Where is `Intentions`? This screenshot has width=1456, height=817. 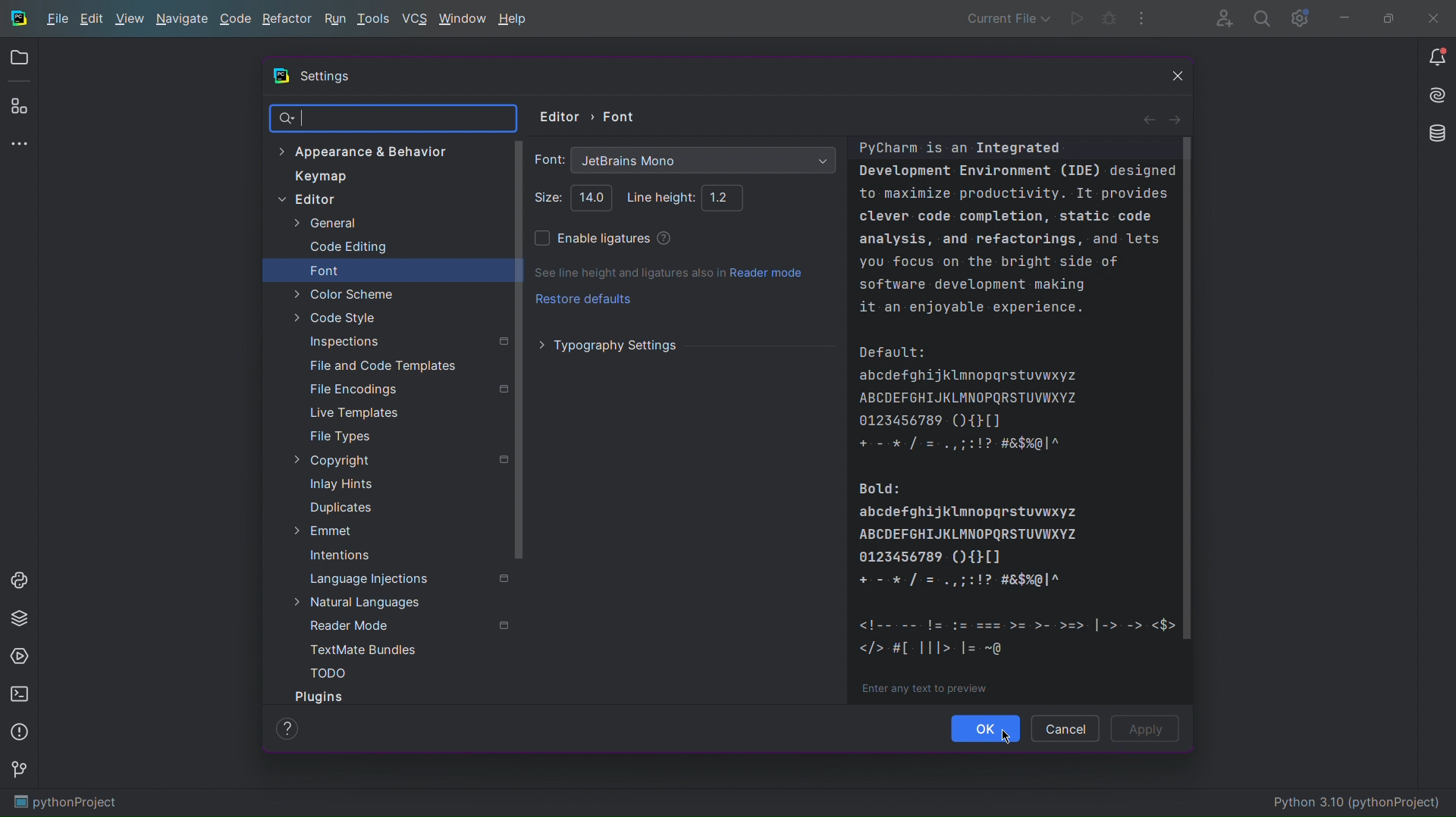
Intentions is located at coordinates (340, 556).